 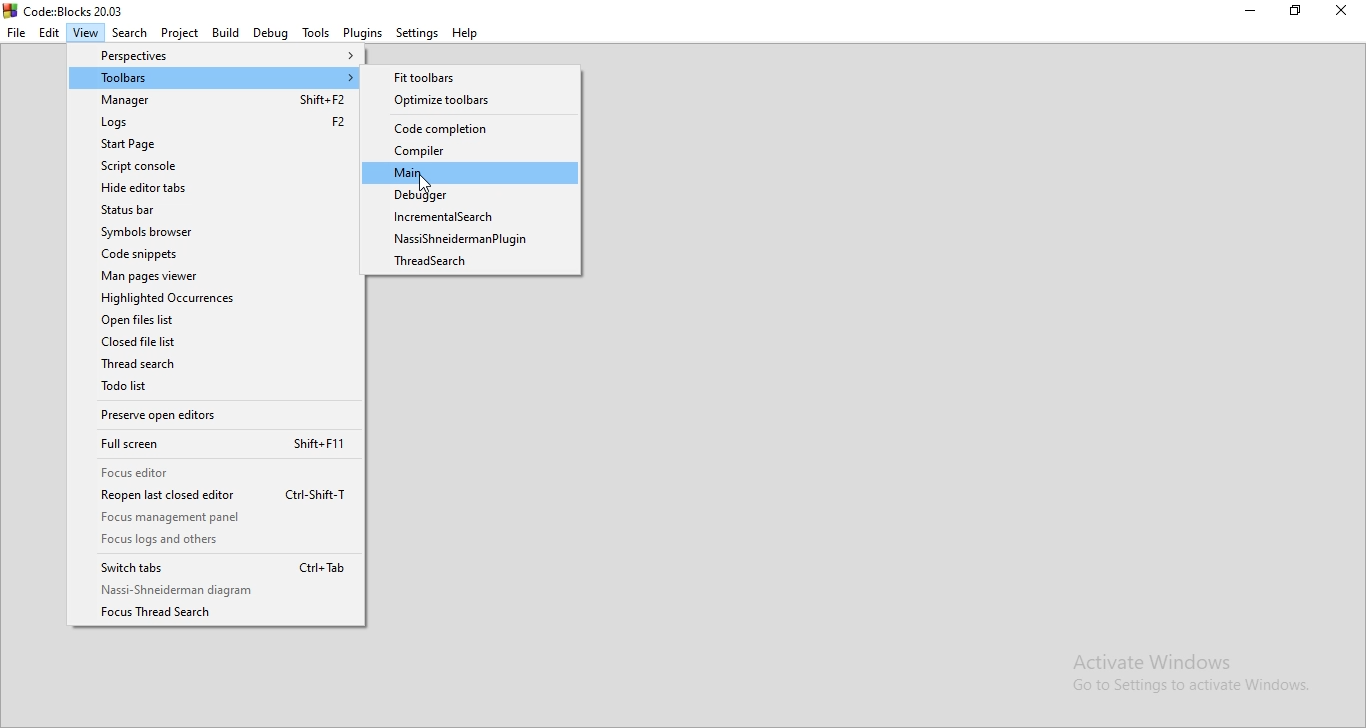 What do you see at coordinates (217, 413) in the screenshot?
I see `Preserve open editors` at bounding box center [217, 413].